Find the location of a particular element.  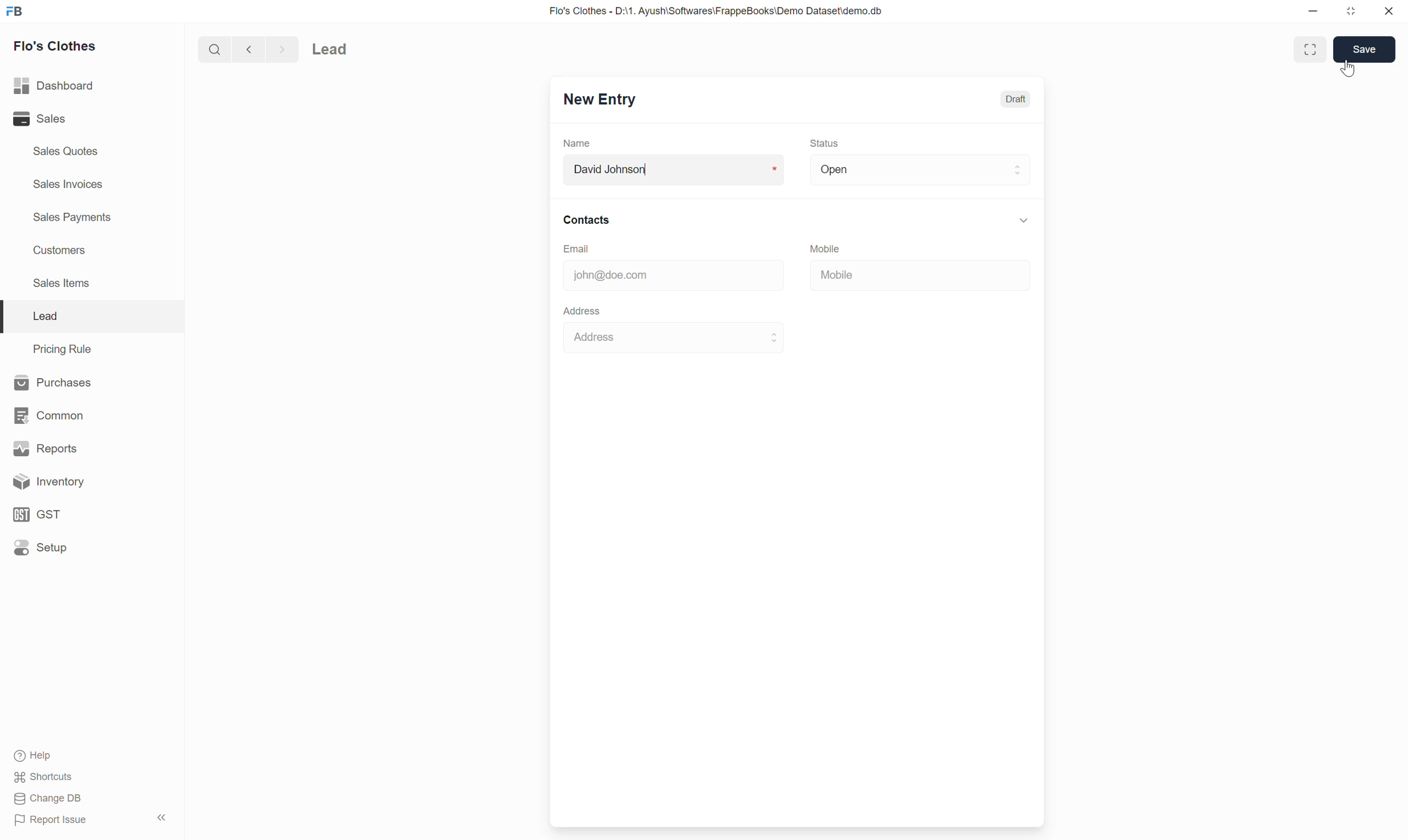

Sales Invoices is located at coordinates (71, 184).